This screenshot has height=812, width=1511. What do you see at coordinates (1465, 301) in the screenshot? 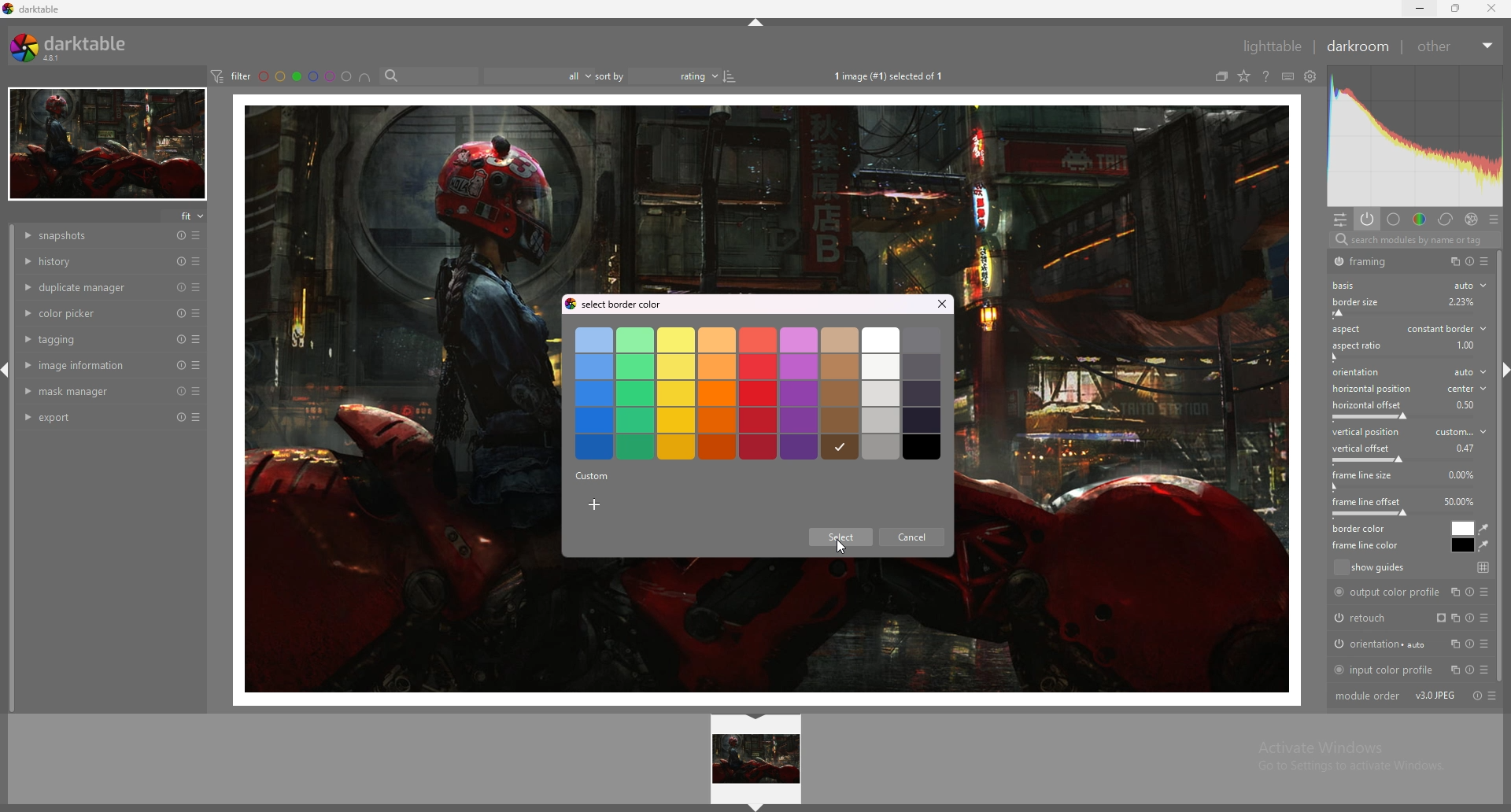
I see `` at bounding box center [1465, 301].